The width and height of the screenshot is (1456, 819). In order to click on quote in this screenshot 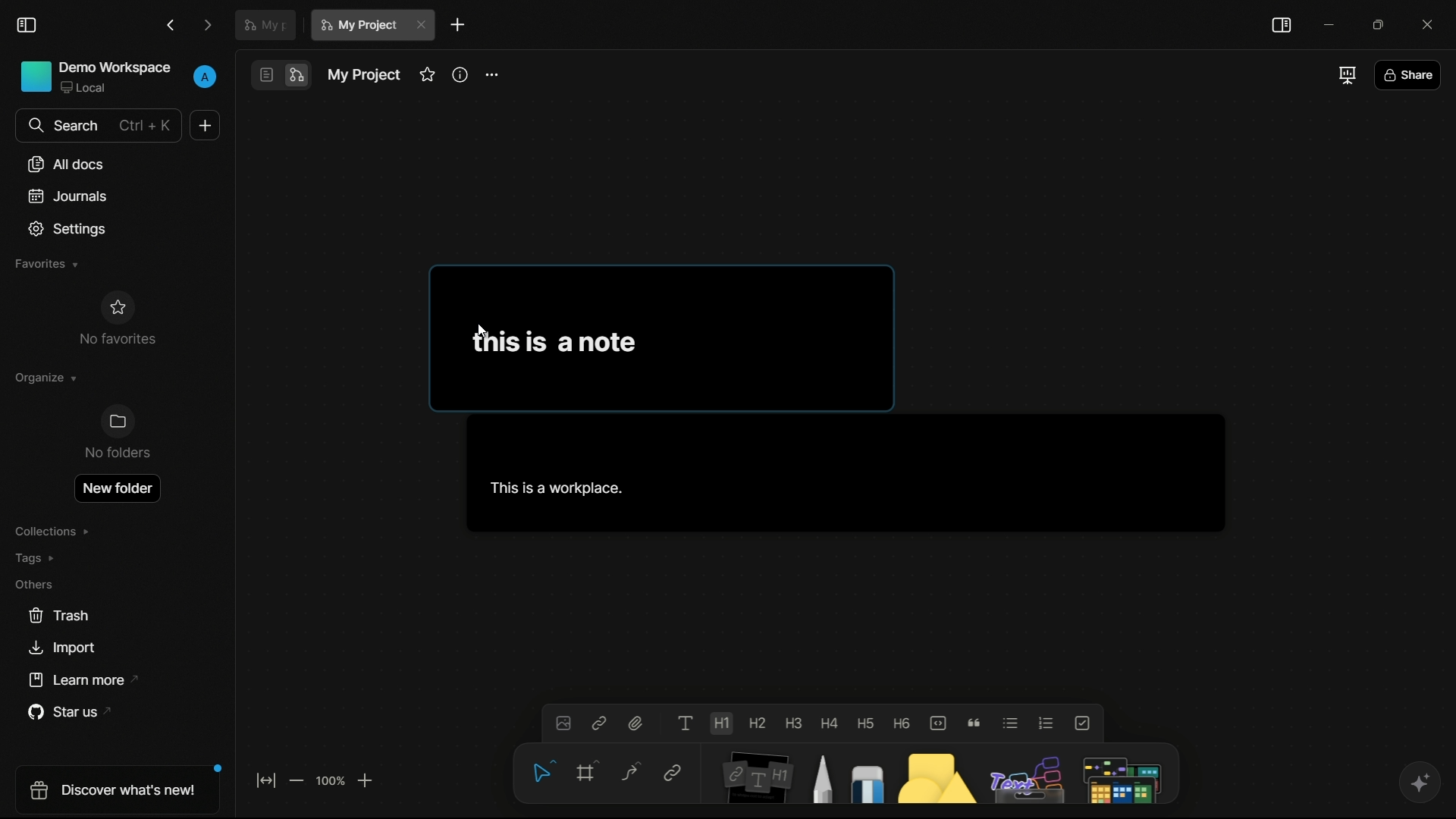, I will do `click(974, 723)`.